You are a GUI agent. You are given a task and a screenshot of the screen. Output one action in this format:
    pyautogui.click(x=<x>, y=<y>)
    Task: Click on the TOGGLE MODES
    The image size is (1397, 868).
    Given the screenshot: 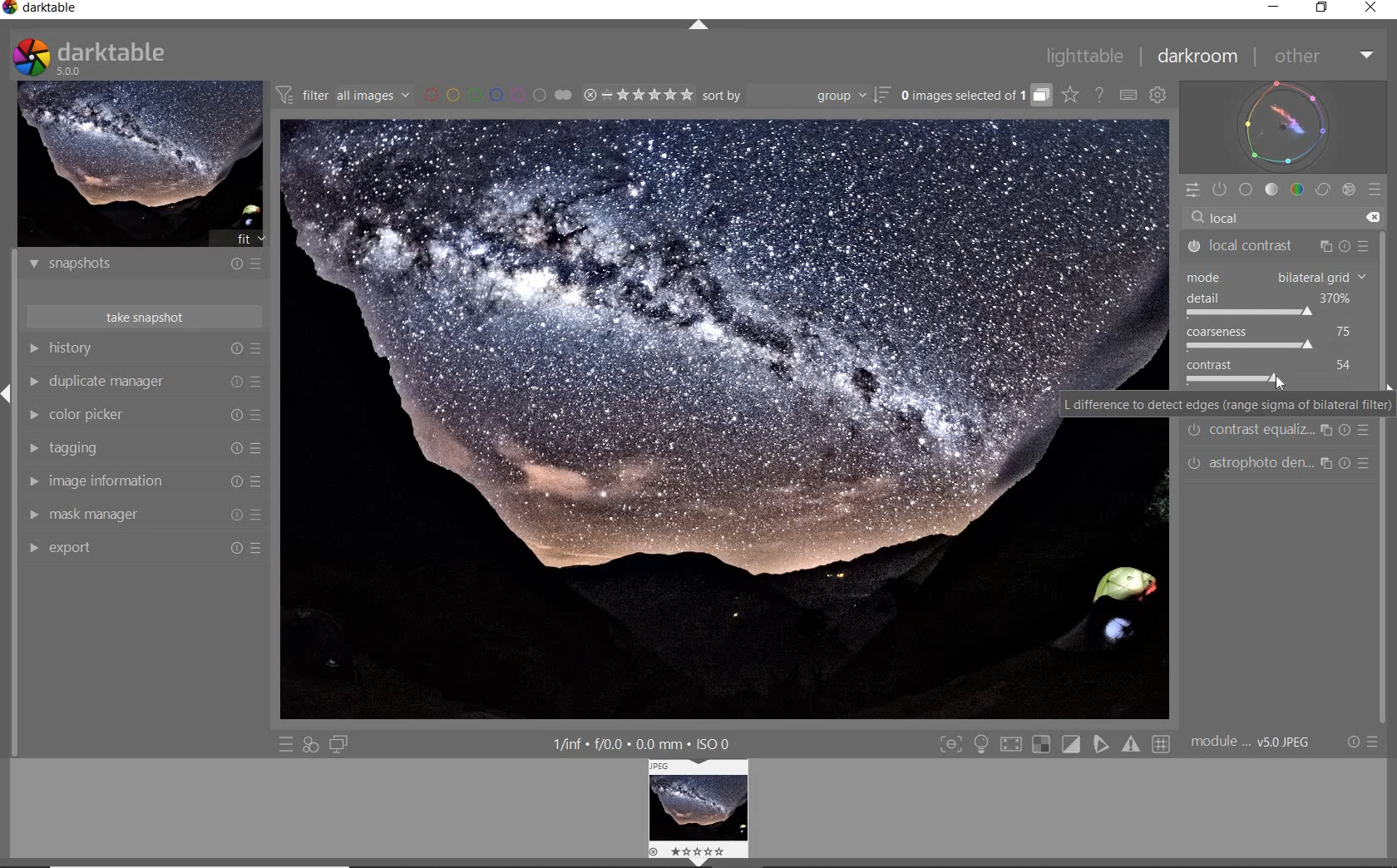 What is the action you would take?
    pyautogui.click(x=1055, y=744)
    